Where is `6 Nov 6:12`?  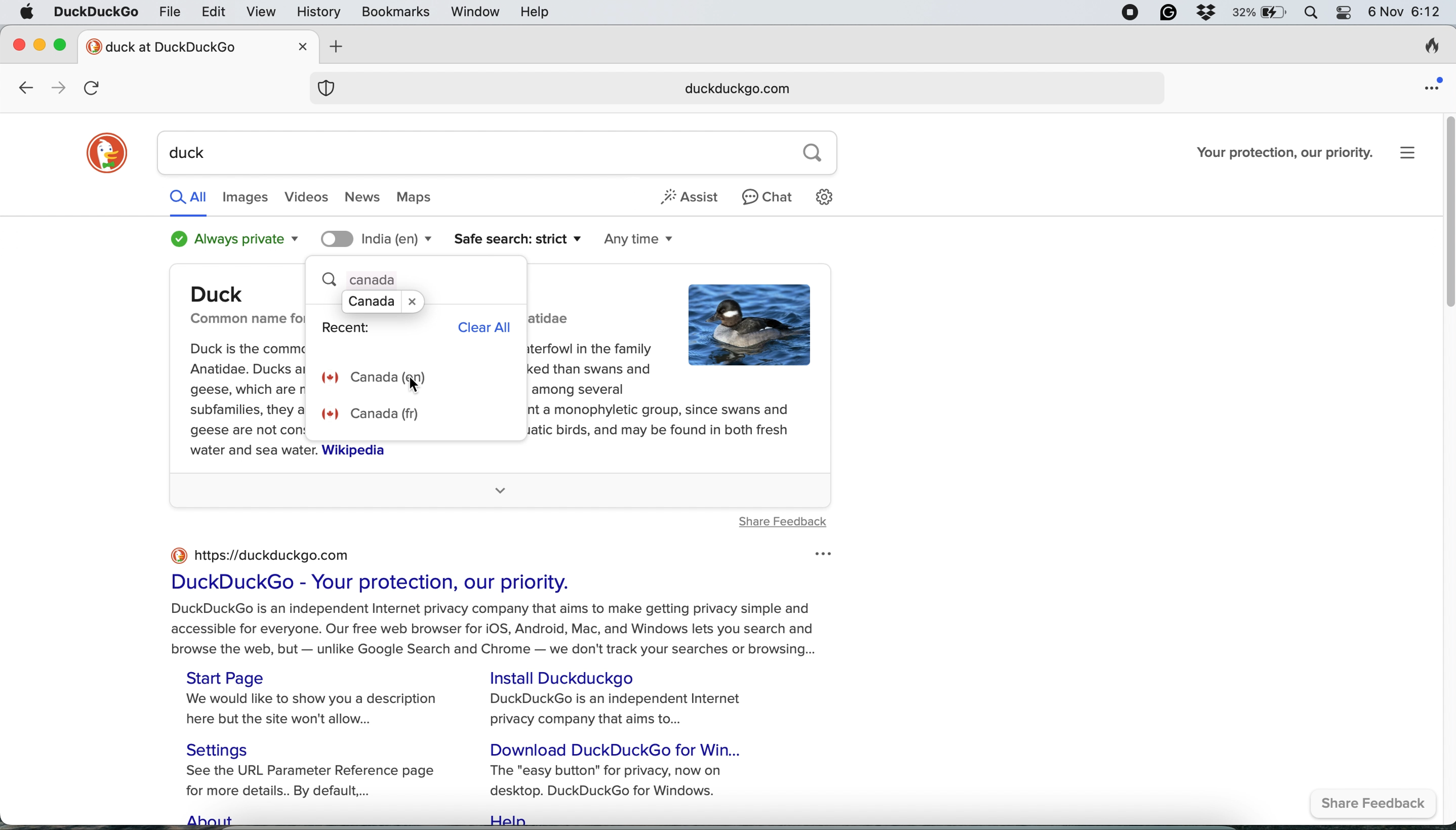 6 Nov 6:12 is located at coordinates (1404, 14).